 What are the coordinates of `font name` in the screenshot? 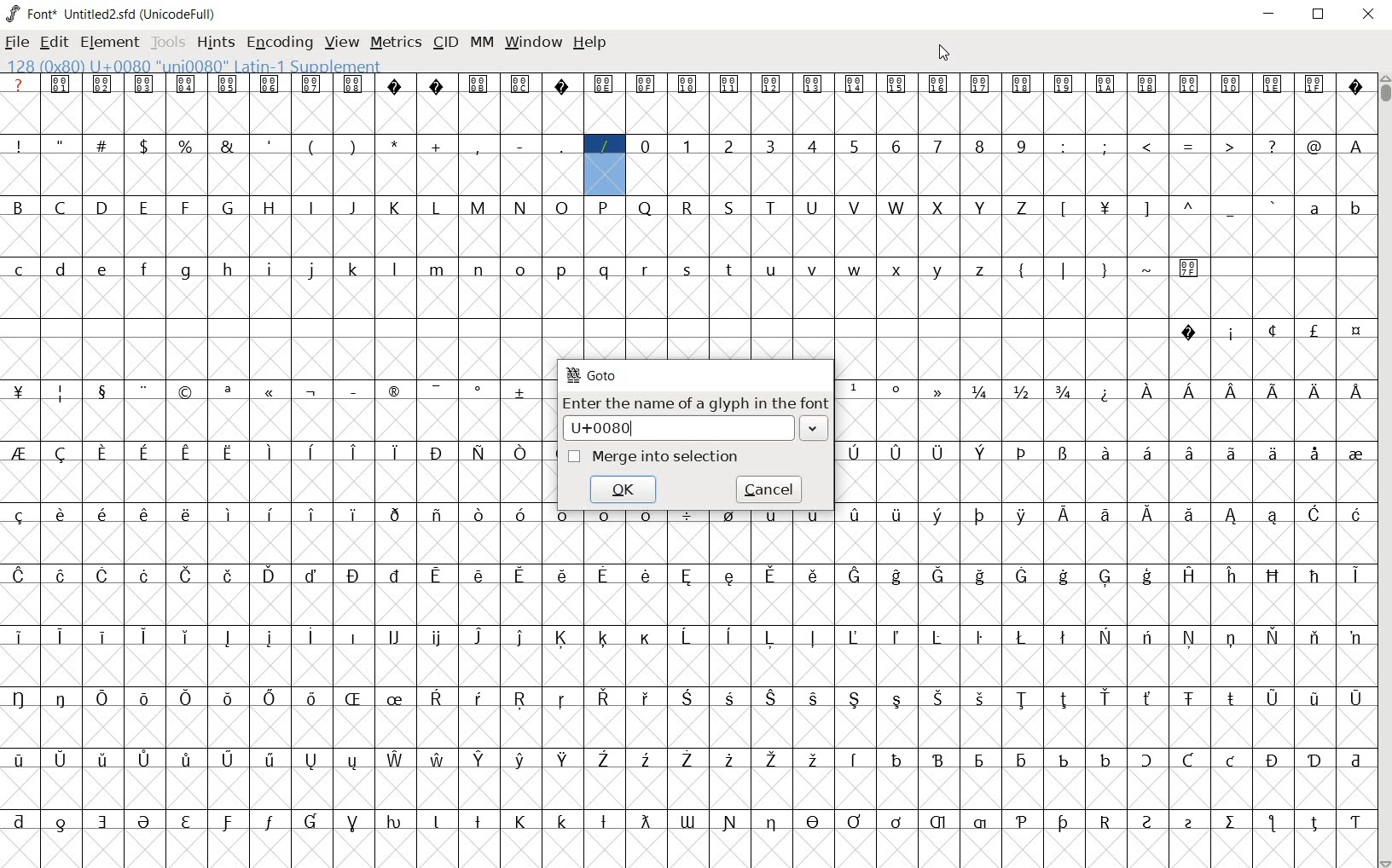 It's located at (100, 11).